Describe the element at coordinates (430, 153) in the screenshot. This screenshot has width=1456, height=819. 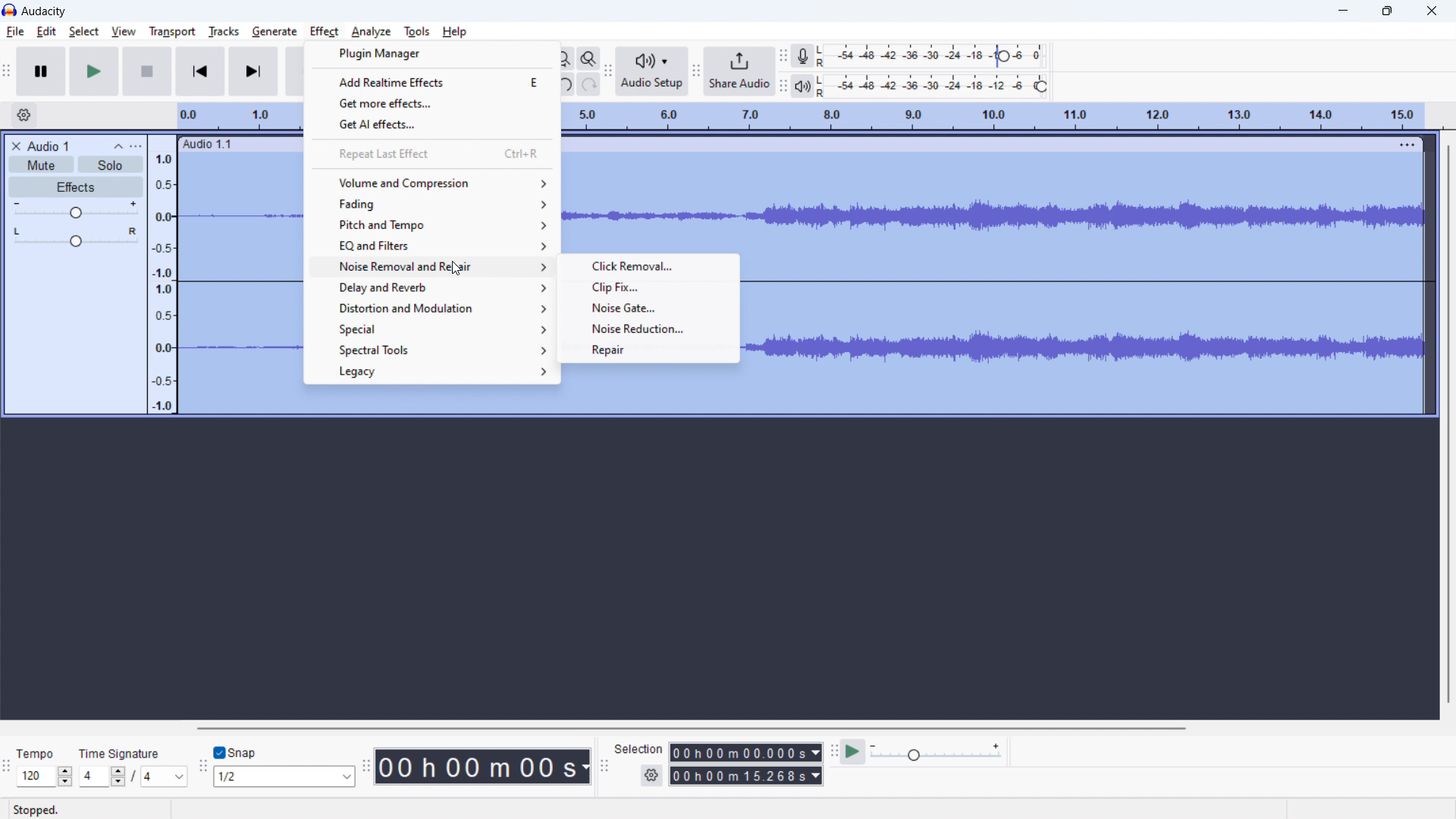
I see `repeat last effect` at that location.